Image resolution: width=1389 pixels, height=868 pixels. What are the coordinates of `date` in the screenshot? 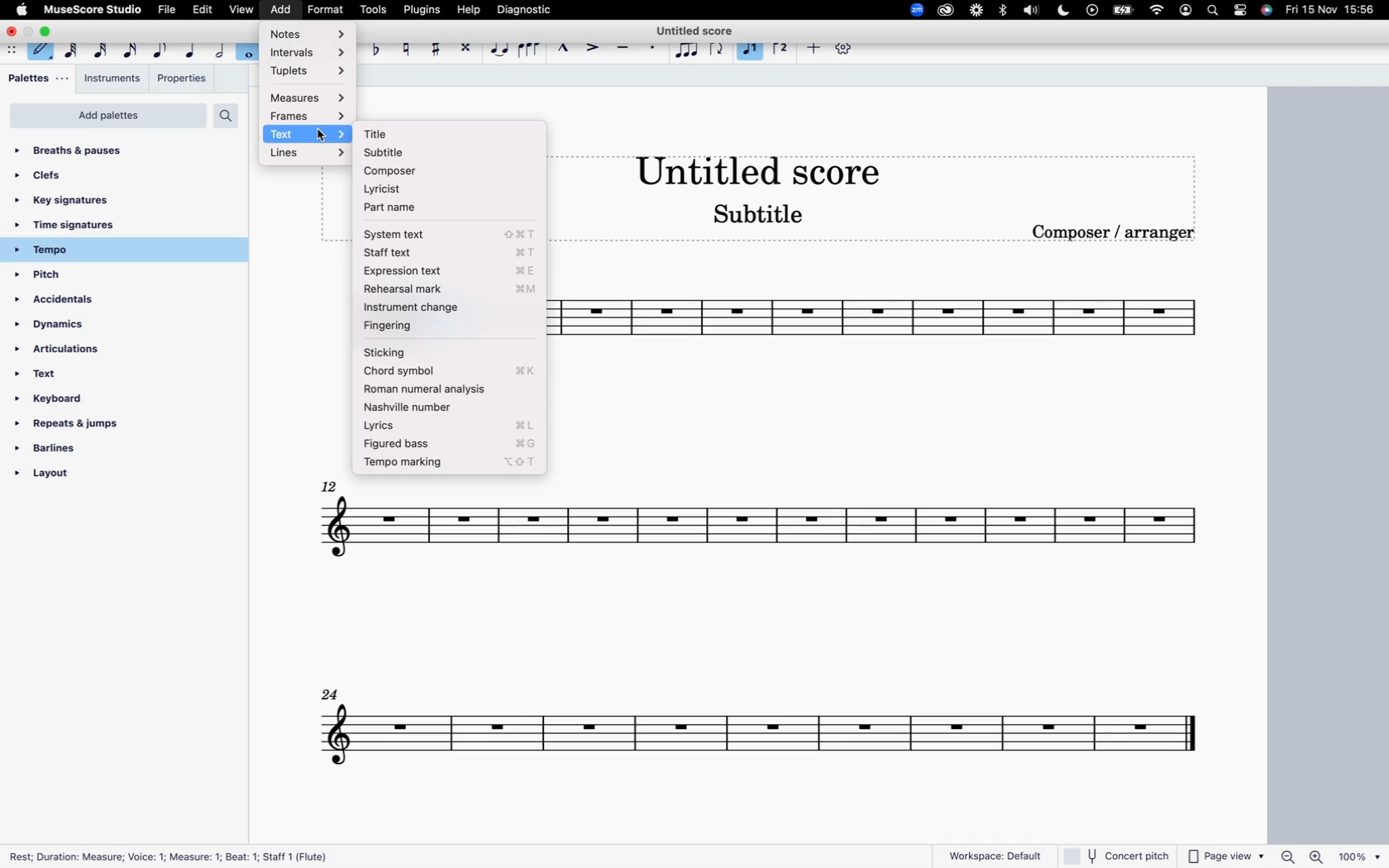 It's located at (1331, 12).